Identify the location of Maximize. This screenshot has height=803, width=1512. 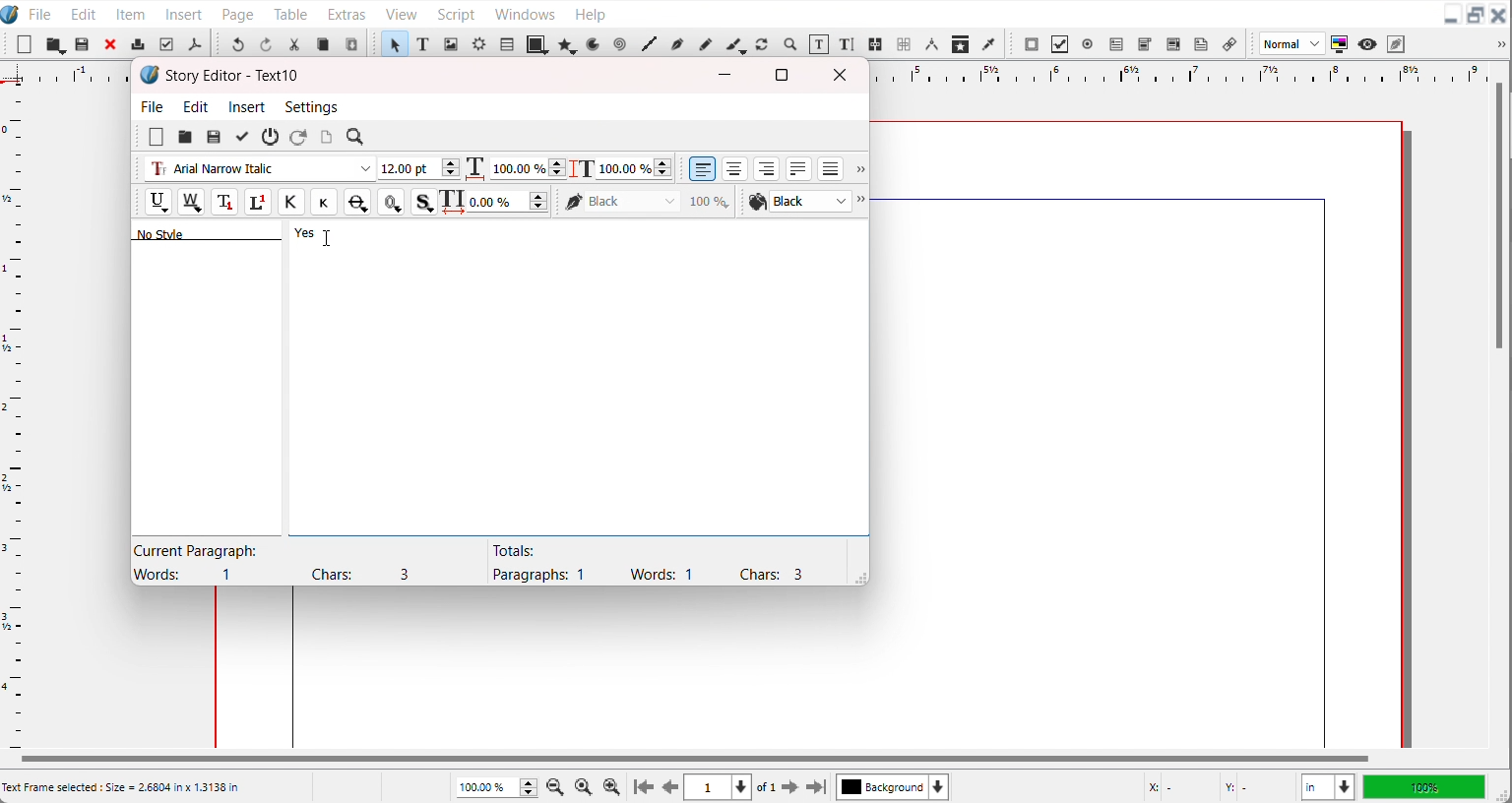
(1476, 16).